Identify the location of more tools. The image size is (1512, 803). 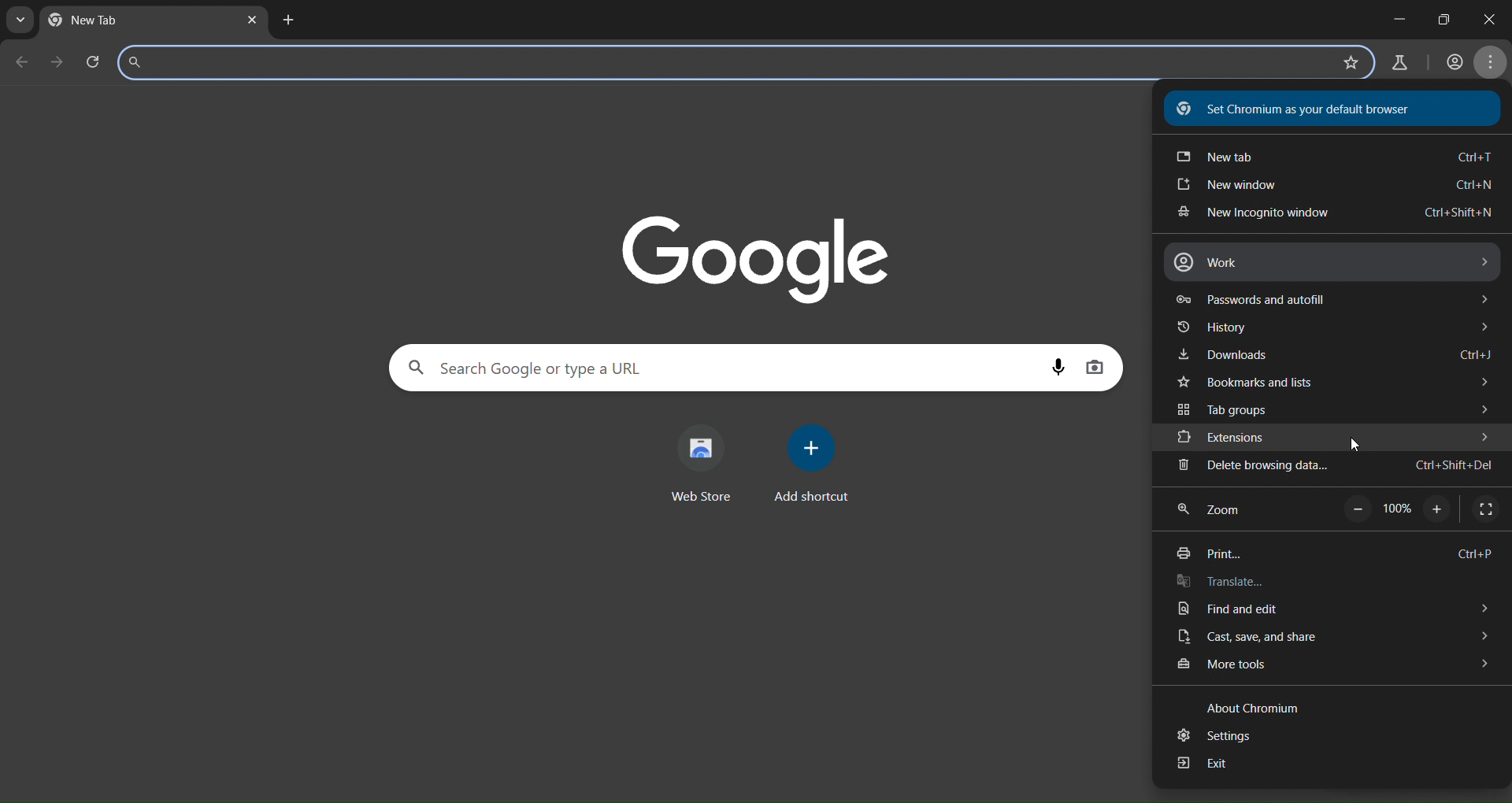
(1336, 667).